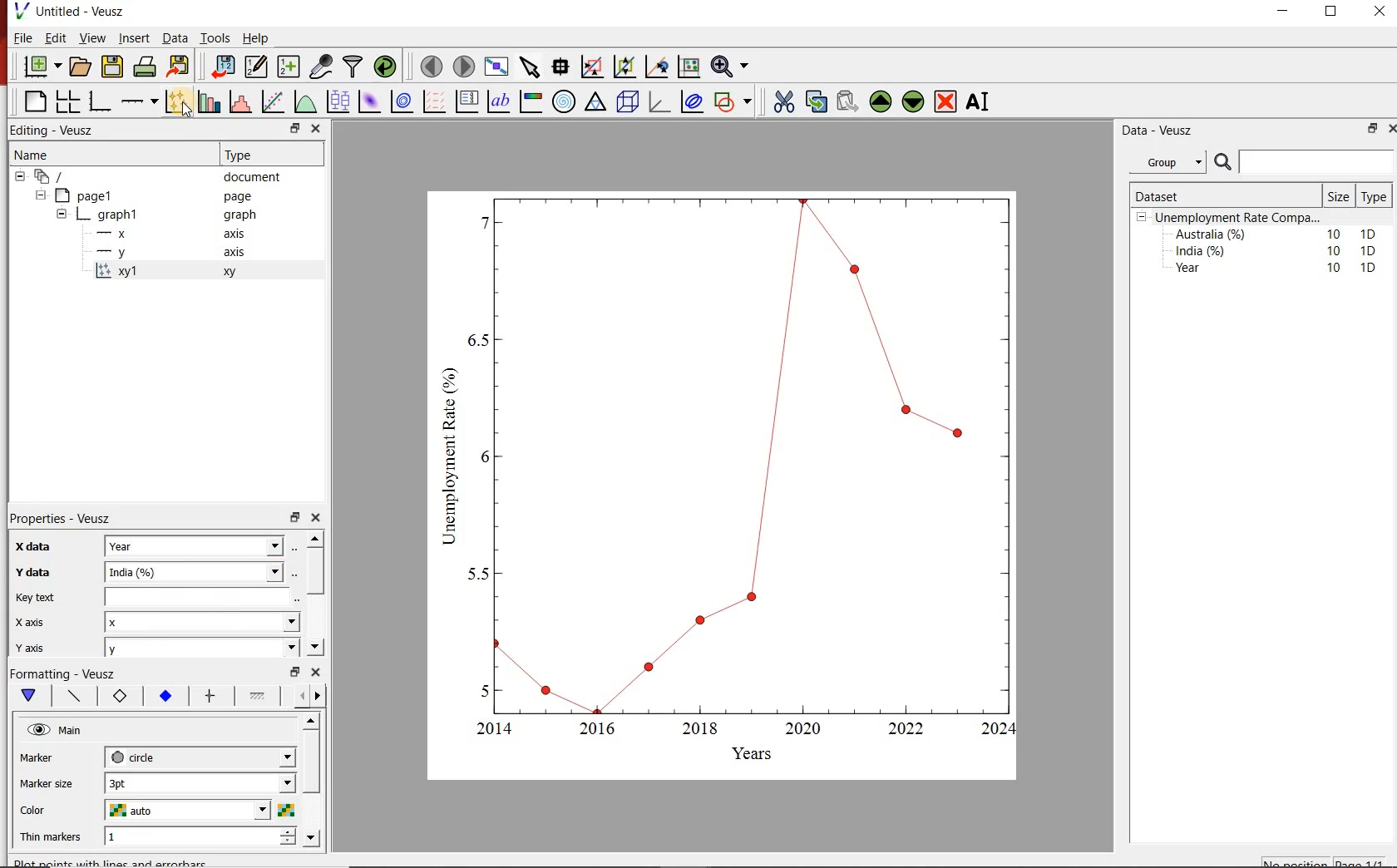 Image resolution: width=1397 pixels, height=868 pixels. Describe the element at coordinates (48, 760) in the screenshot. I see `MArker` at that location.